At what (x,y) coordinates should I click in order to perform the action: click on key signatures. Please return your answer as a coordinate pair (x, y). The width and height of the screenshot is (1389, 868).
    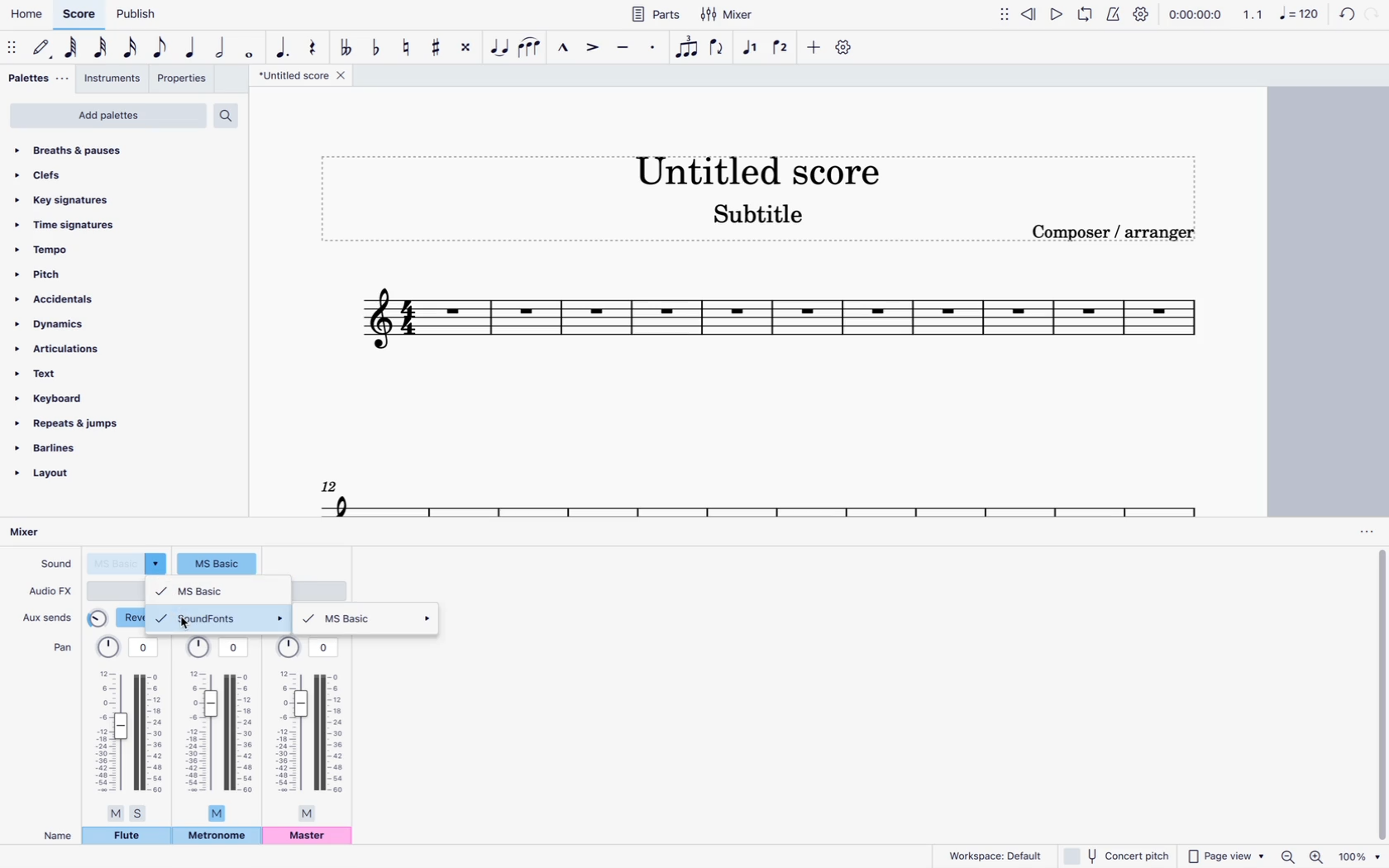
    Looking at the image, I should click on (65, 199).